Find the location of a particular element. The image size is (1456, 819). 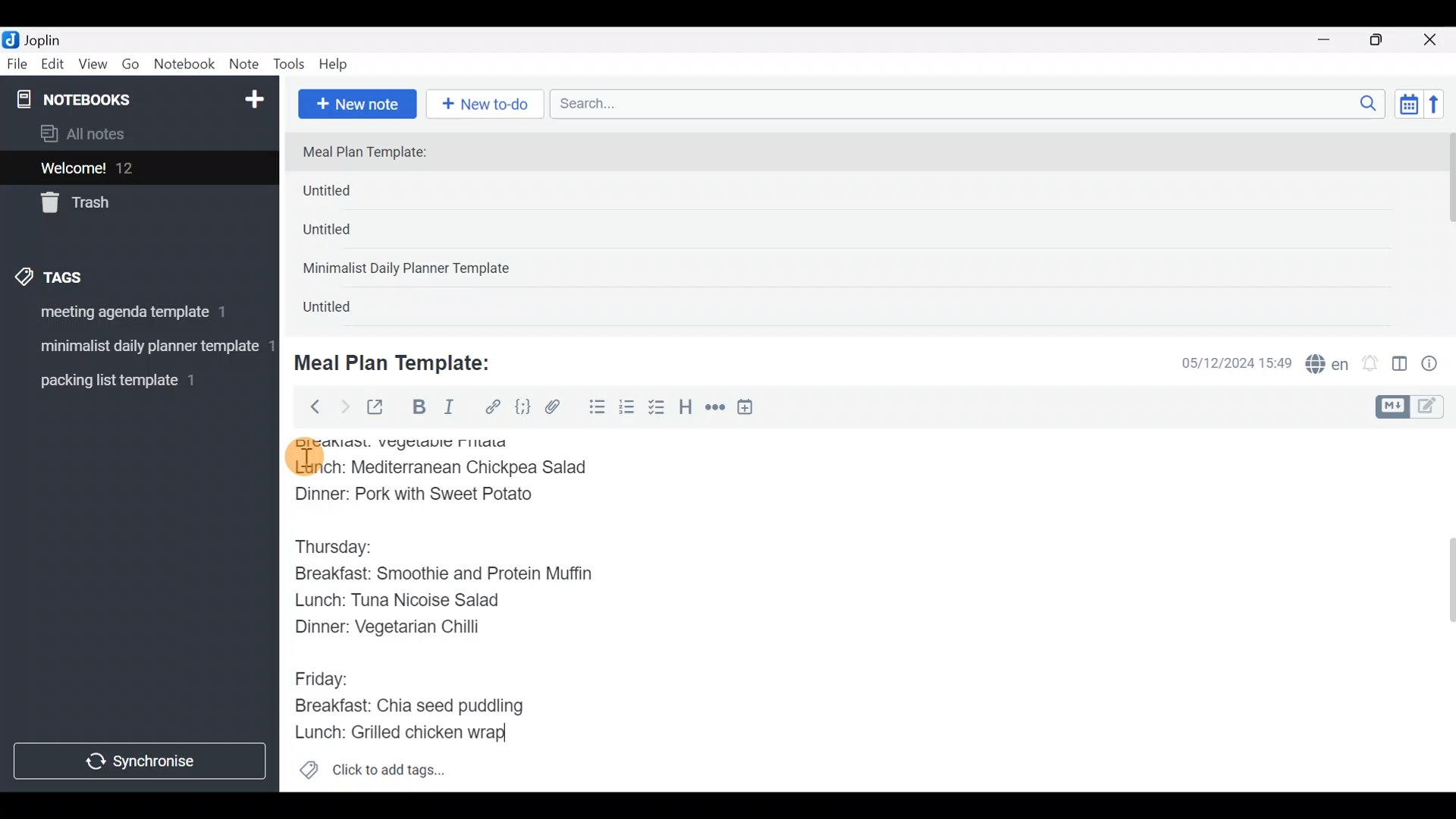

Bold is located at coordinates (418, 409).